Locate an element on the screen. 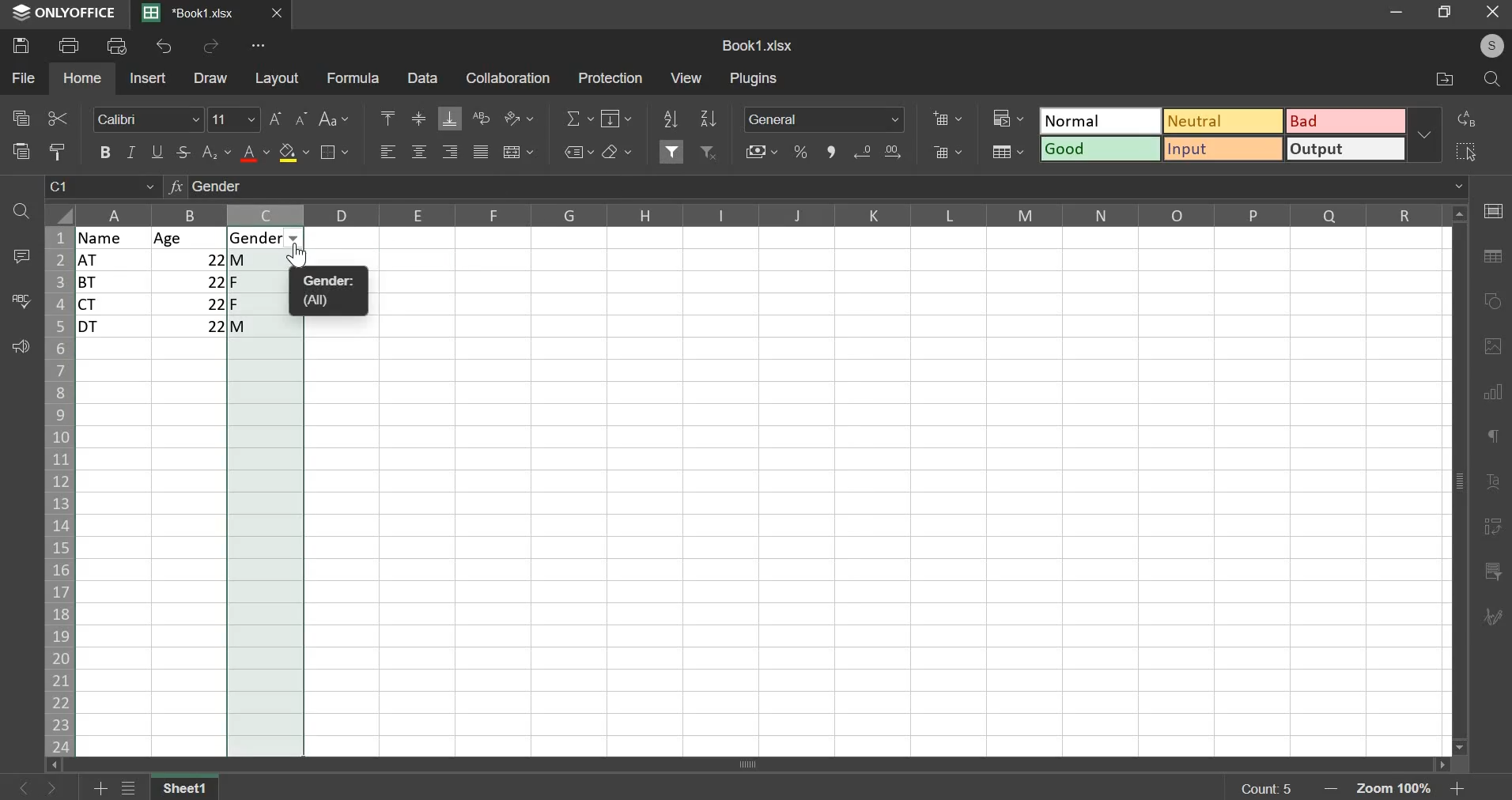 This screenshot has height=800, width=1512. align top is located at coordinates (387, 115).